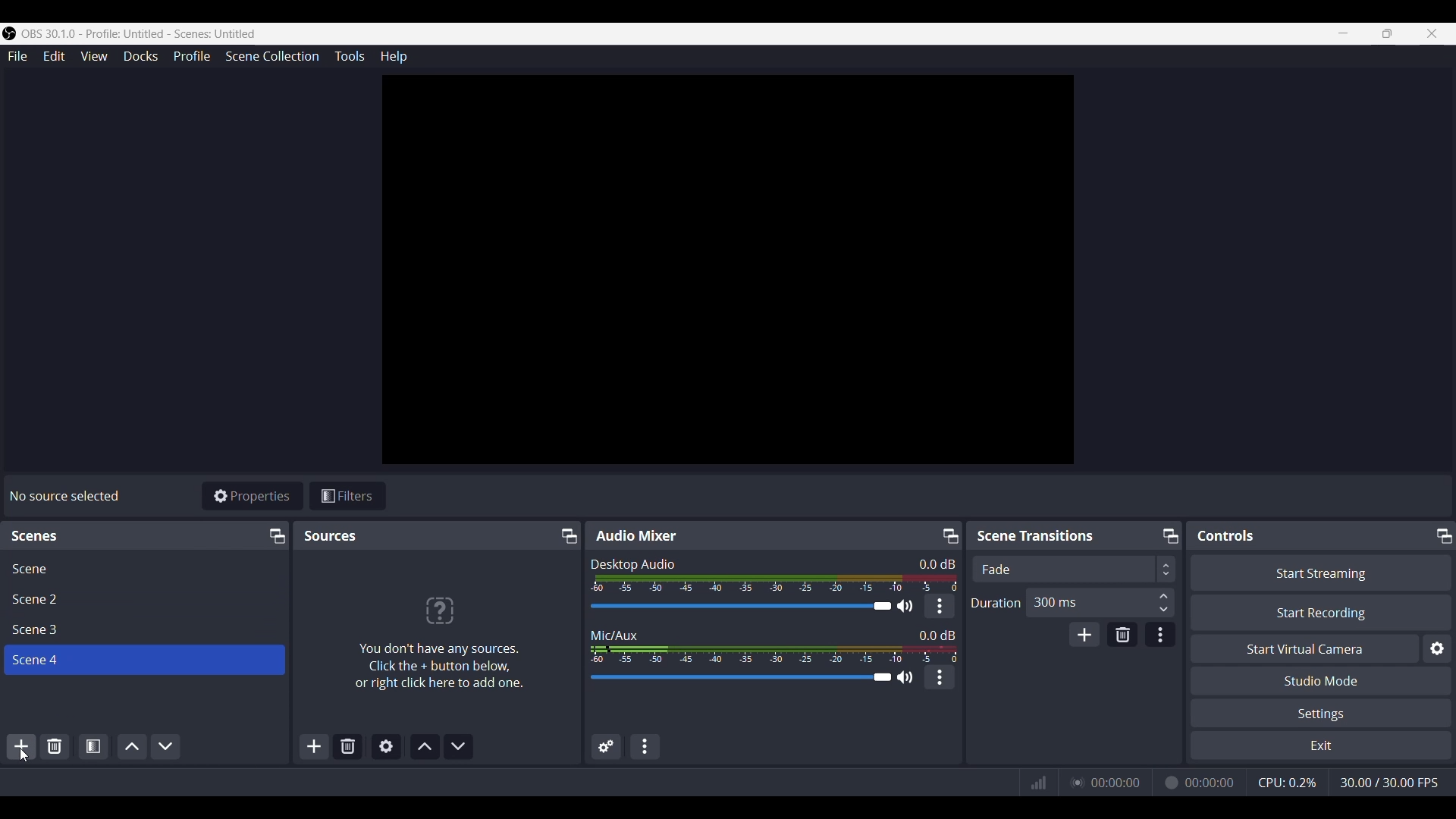  What do you see at coordinates (1039, 783) in the screenshot?
I see `Graph` at bounding box center [1039, 783].